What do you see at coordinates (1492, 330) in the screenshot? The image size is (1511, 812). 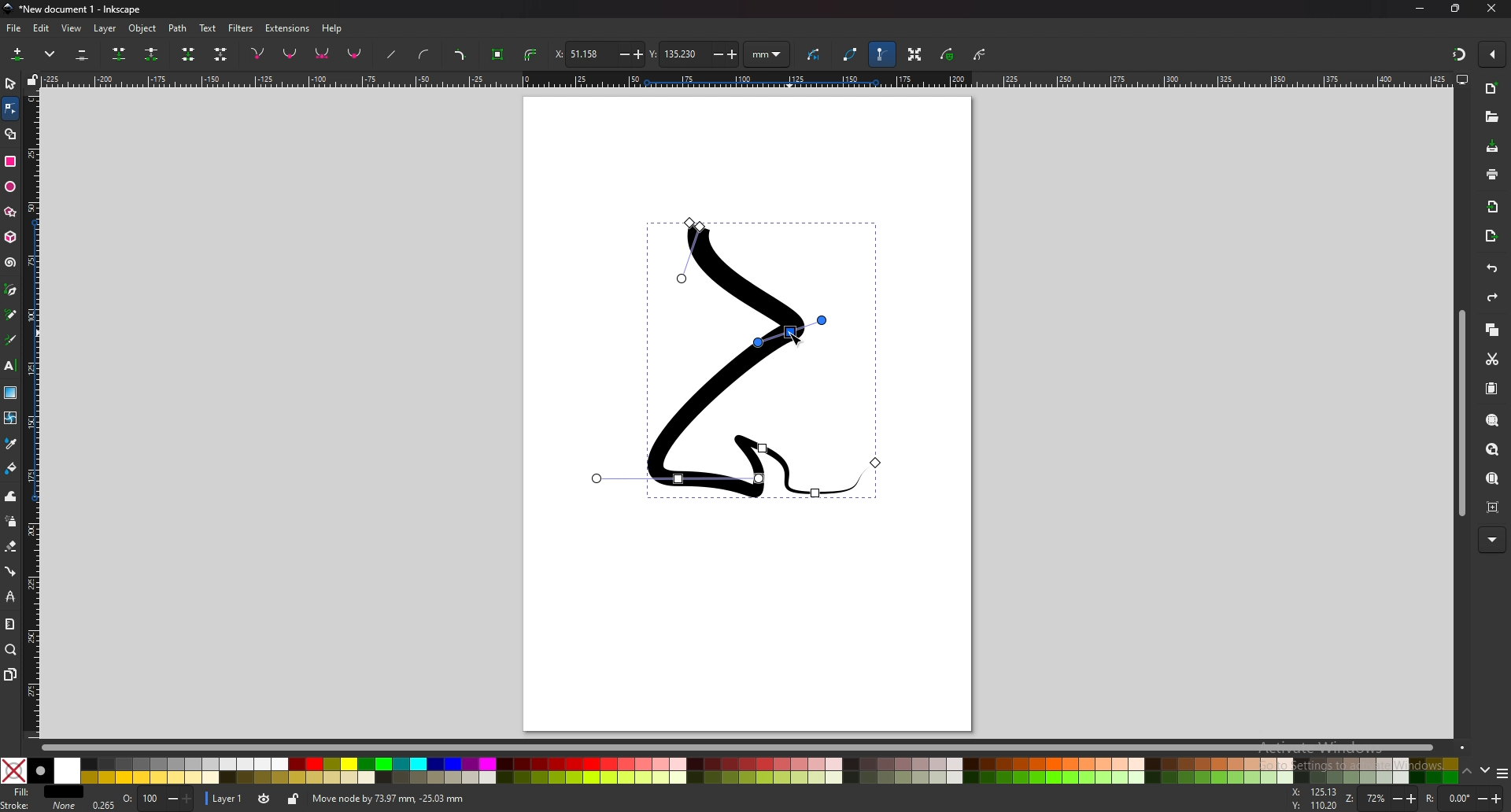 I see `copy` at bounding box center [1492, 330].